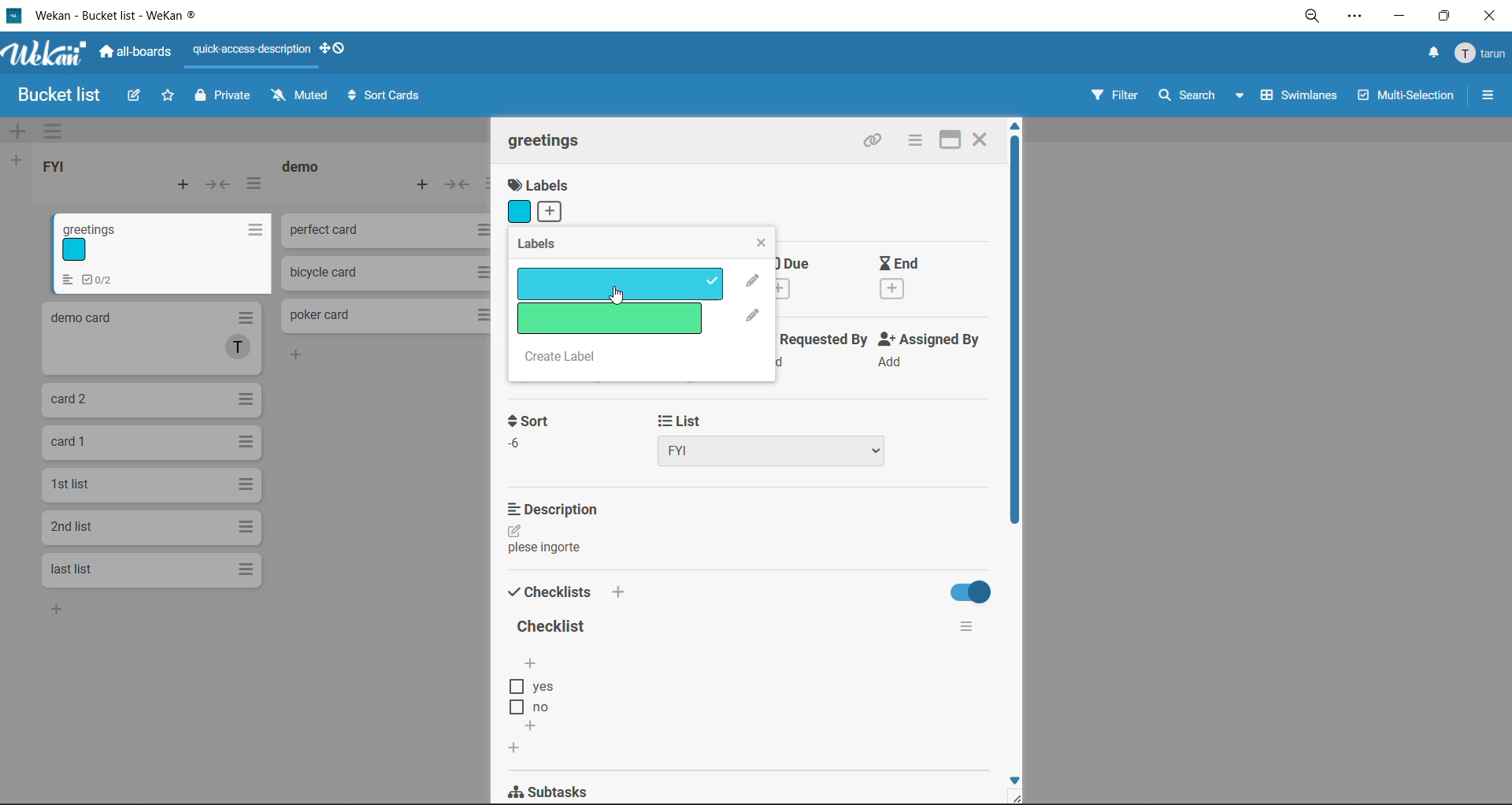 The width and height of the screenshot is (1512, 805). What do you see at coordinates (1358, 18) in the screenshot?
I see `settings` at bounding box center [1358, 18].